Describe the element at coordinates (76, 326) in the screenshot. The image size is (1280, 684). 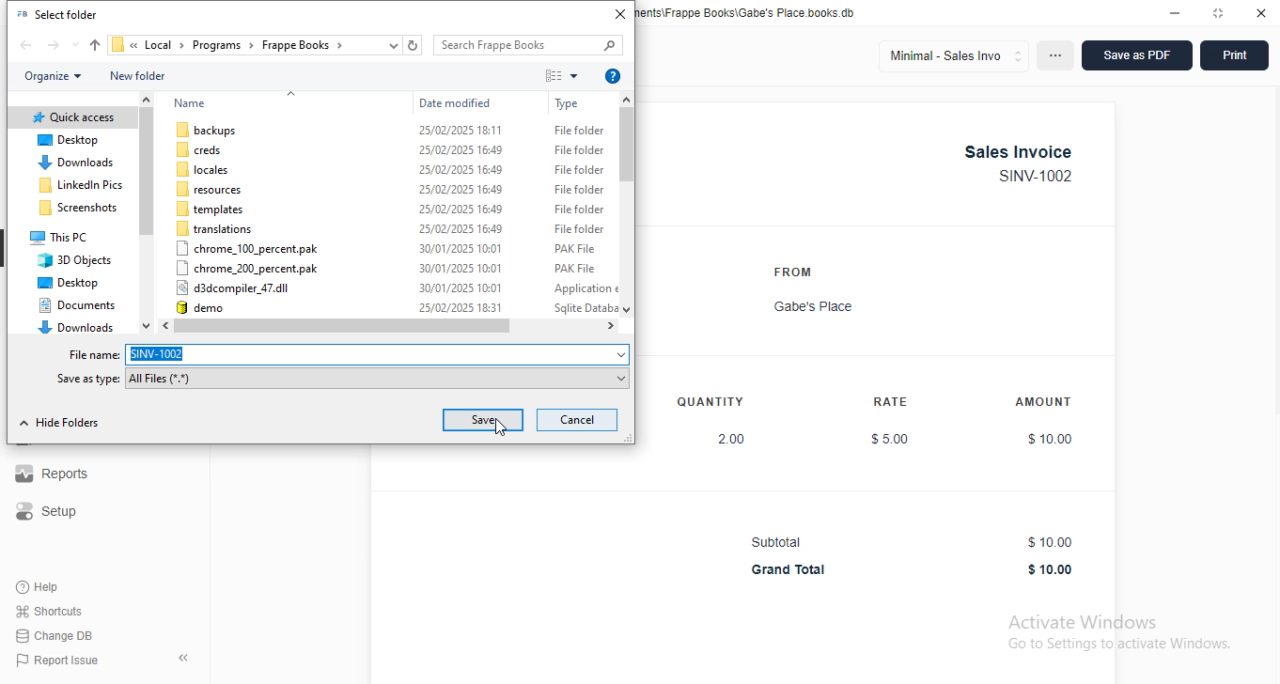
I see `downloads` at that location.